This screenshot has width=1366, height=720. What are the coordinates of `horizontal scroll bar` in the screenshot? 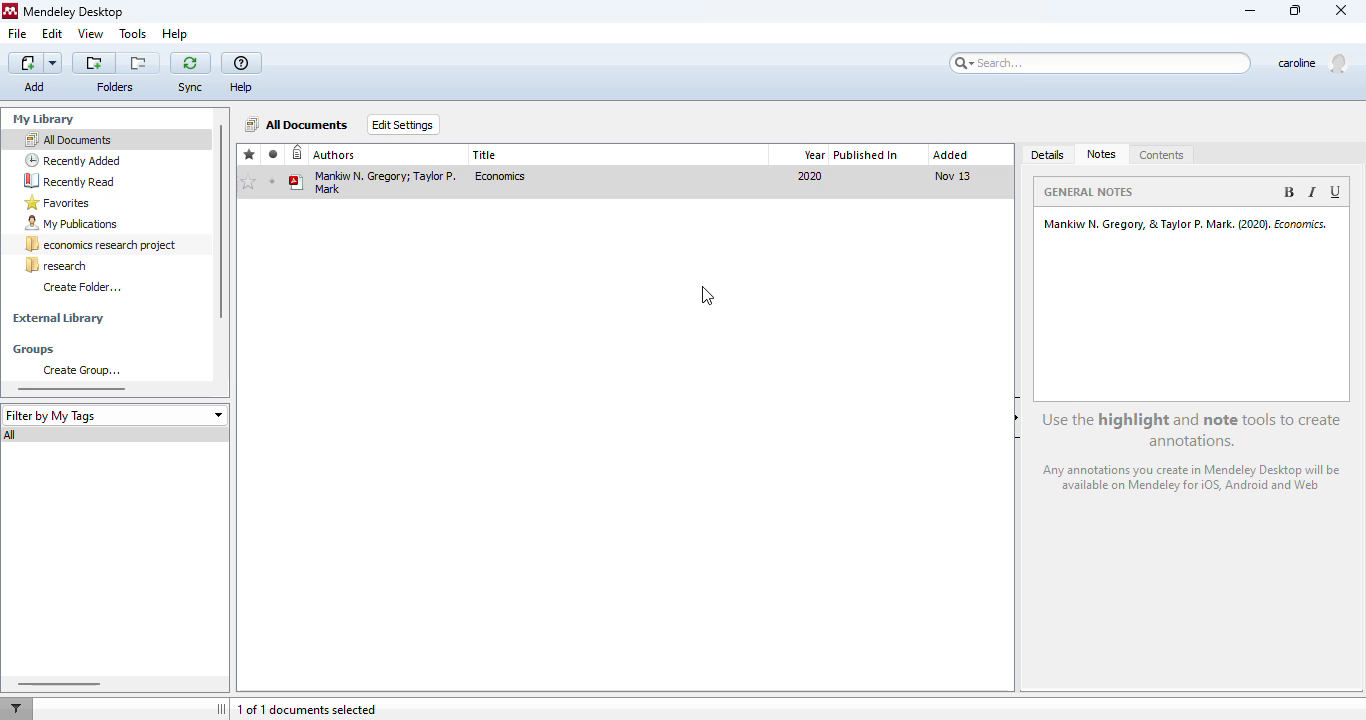 It's located at (72, 388).